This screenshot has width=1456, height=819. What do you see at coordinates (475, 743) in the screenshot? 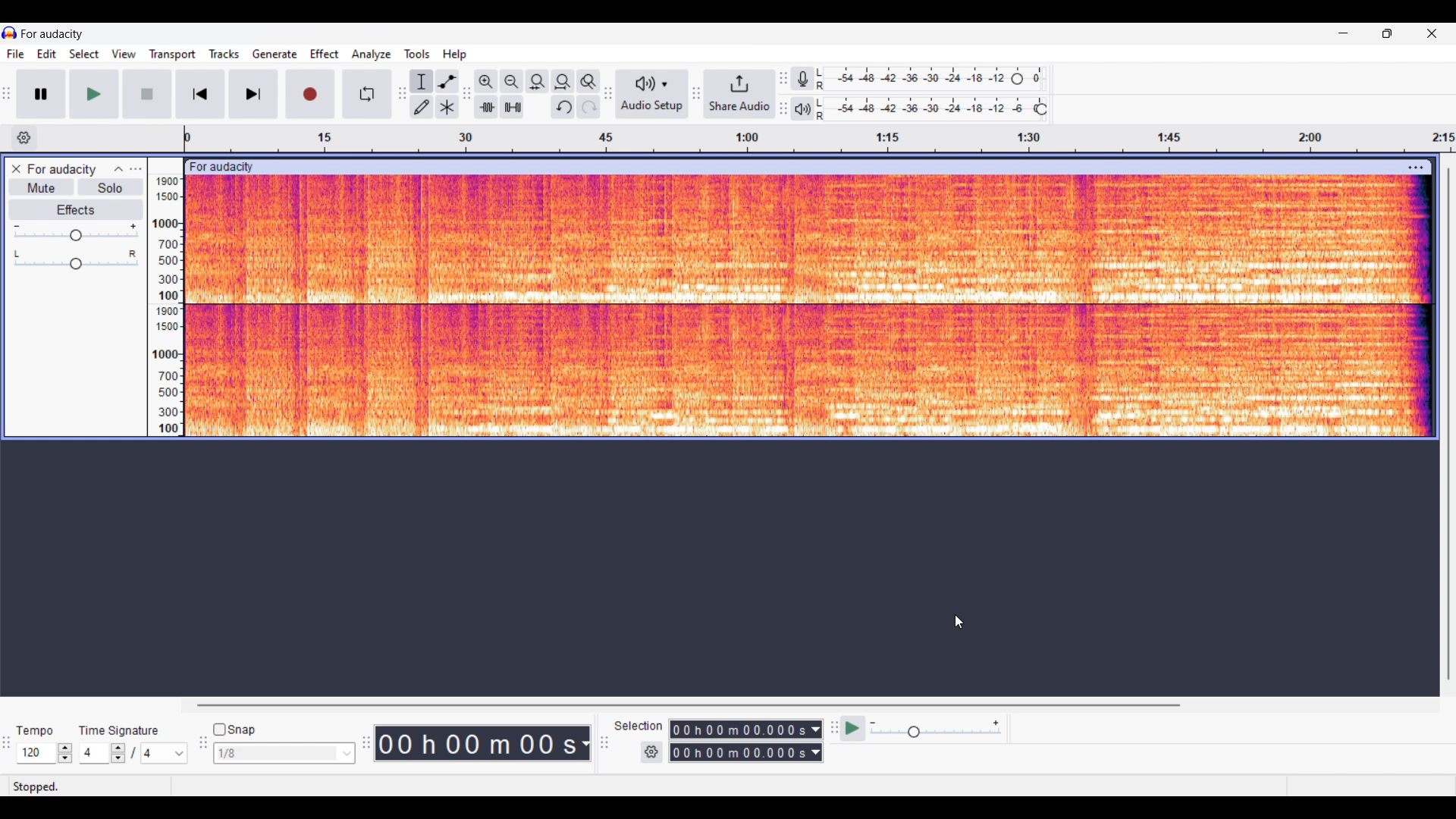
I see `Current duration of track` at bounding box center [475, 743].